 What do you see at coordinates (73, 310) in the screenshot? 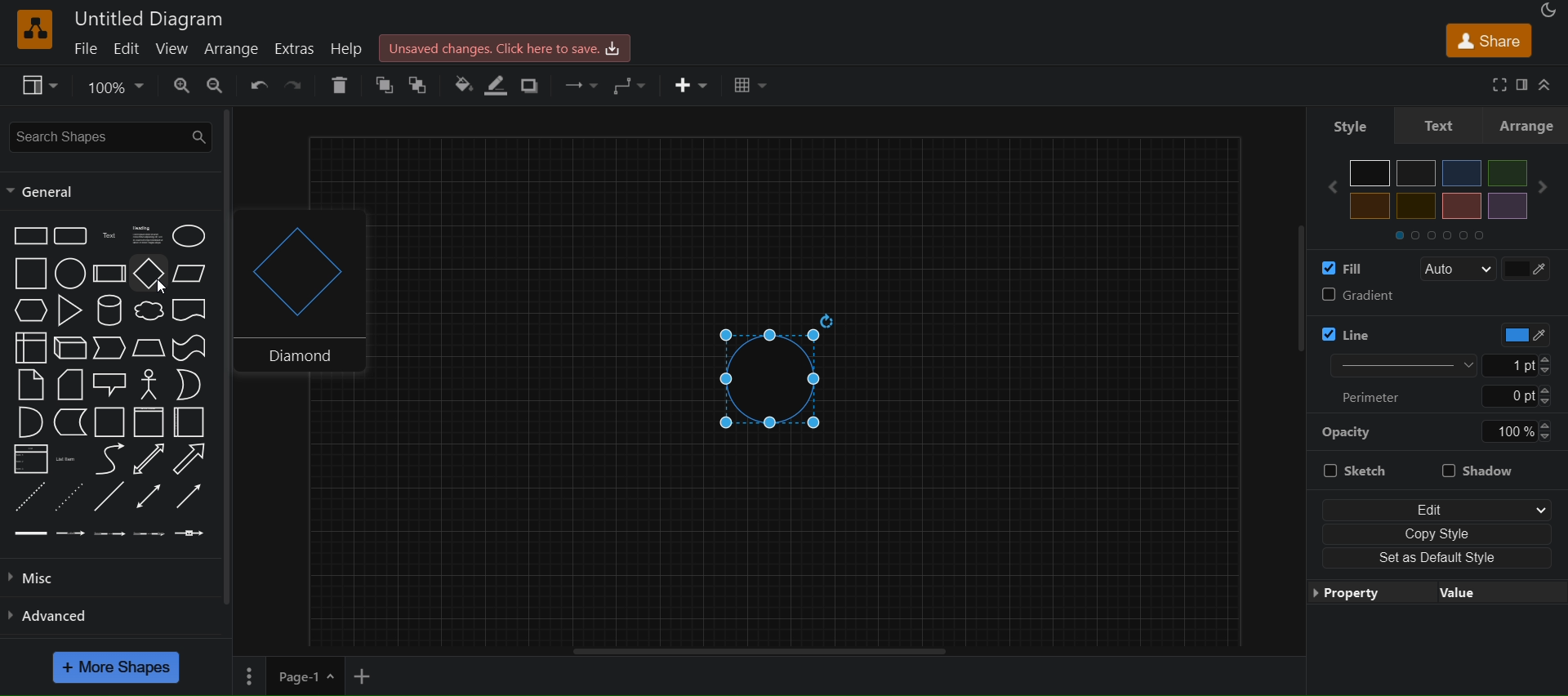
I see `triangle` at bounding box center [73, 310].